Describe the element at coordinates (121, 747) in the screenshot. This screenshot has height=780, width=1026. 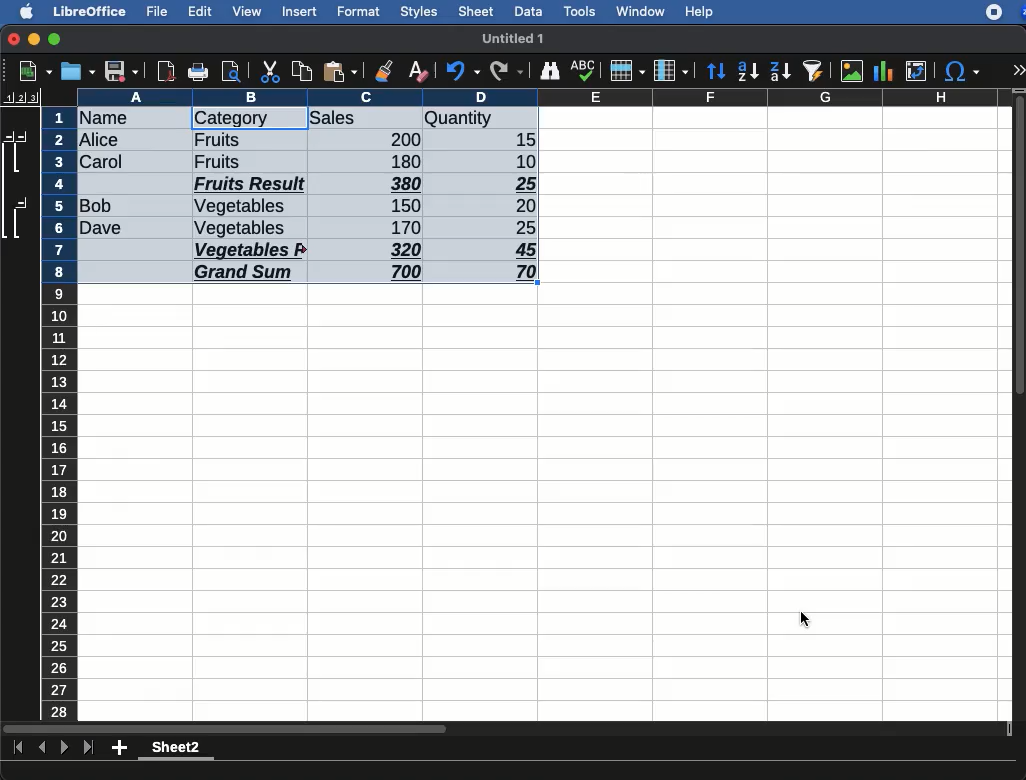
I see `add` at that location.